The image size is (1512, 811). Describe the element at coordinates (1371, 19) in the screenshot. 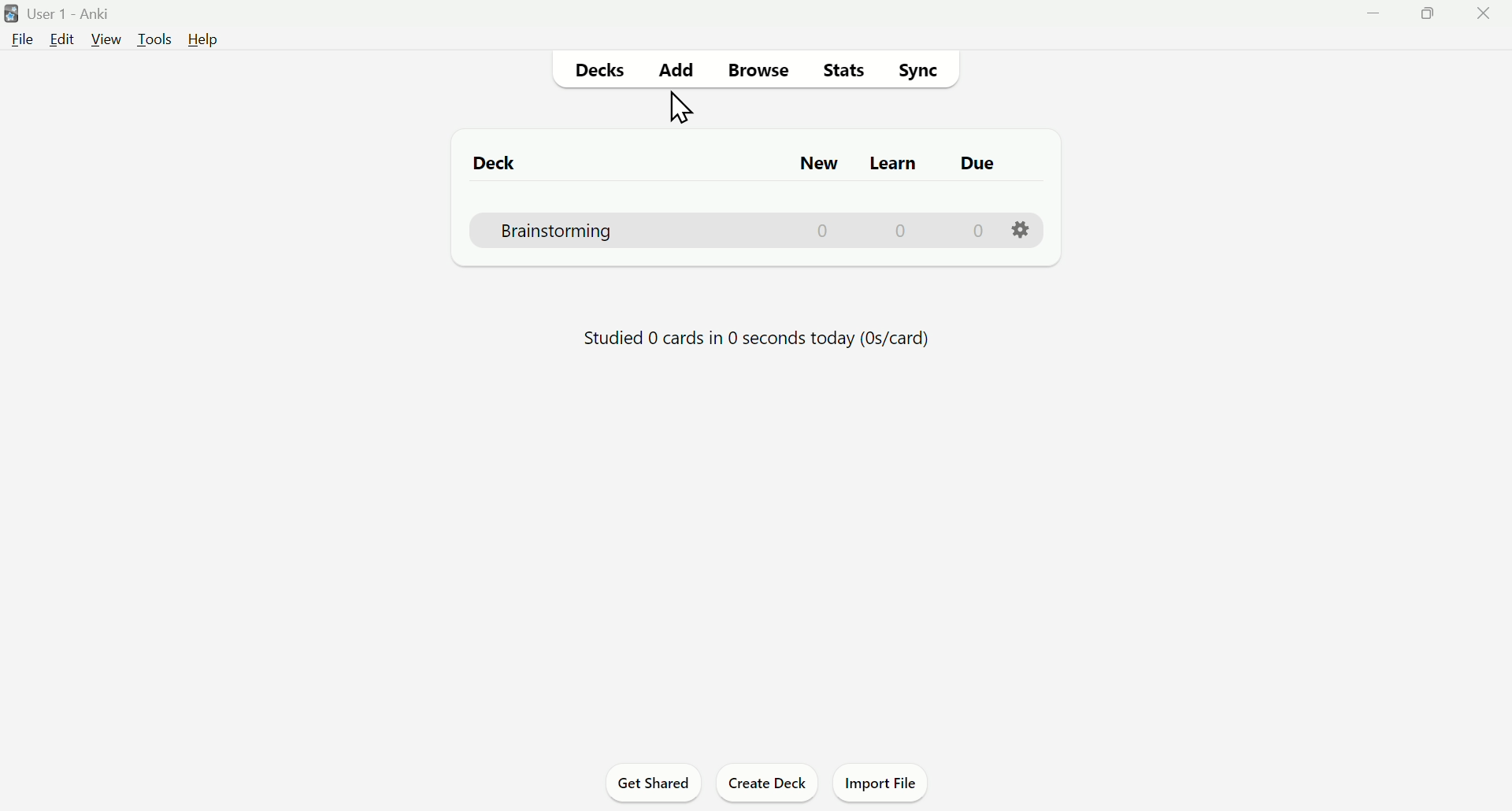

I see `Minimise` at that location.